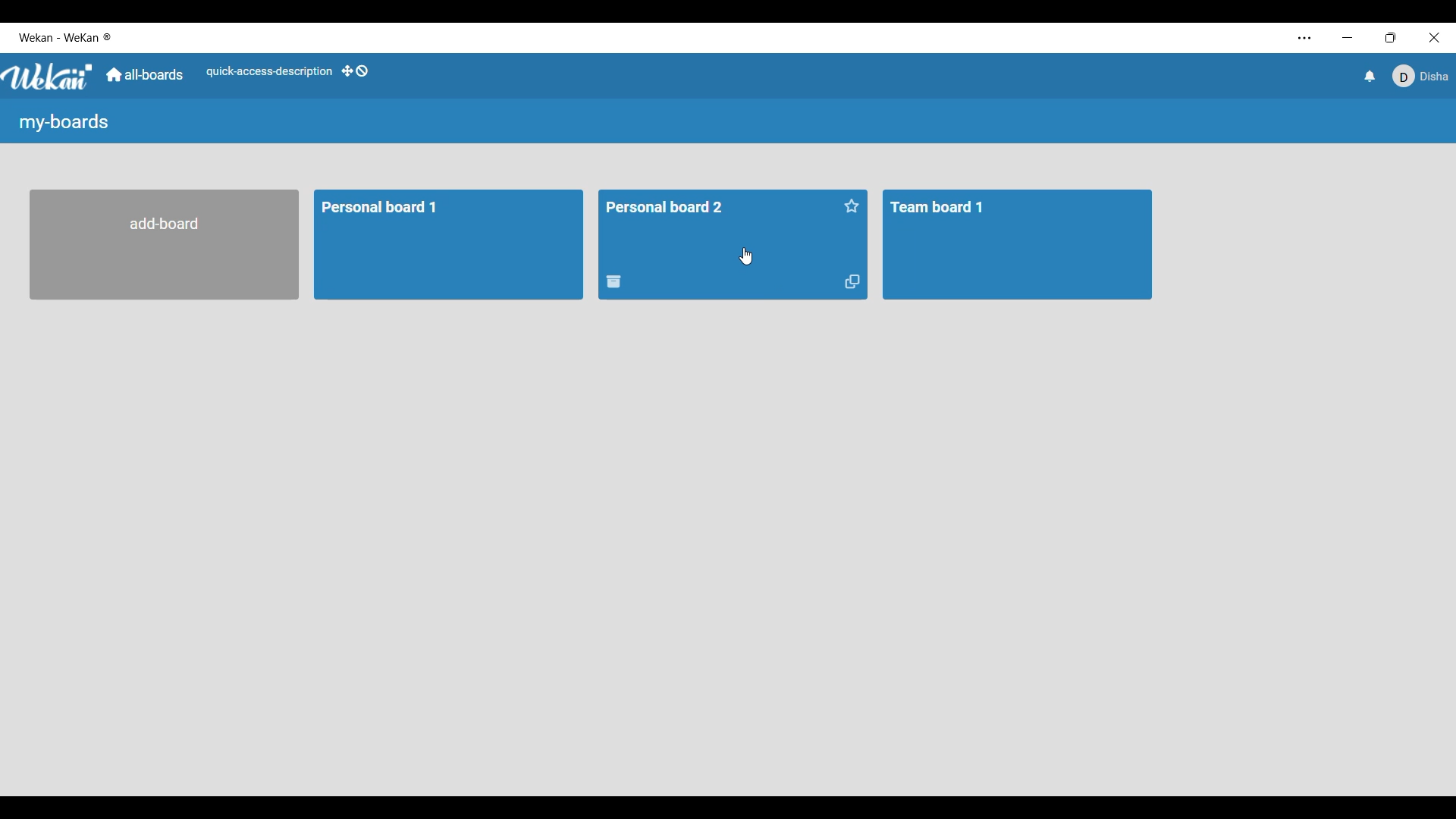  What do you see at coordinates (1018, 245) in the screenshot?
I see `Team board 1` at bounding box center [1018, 245].